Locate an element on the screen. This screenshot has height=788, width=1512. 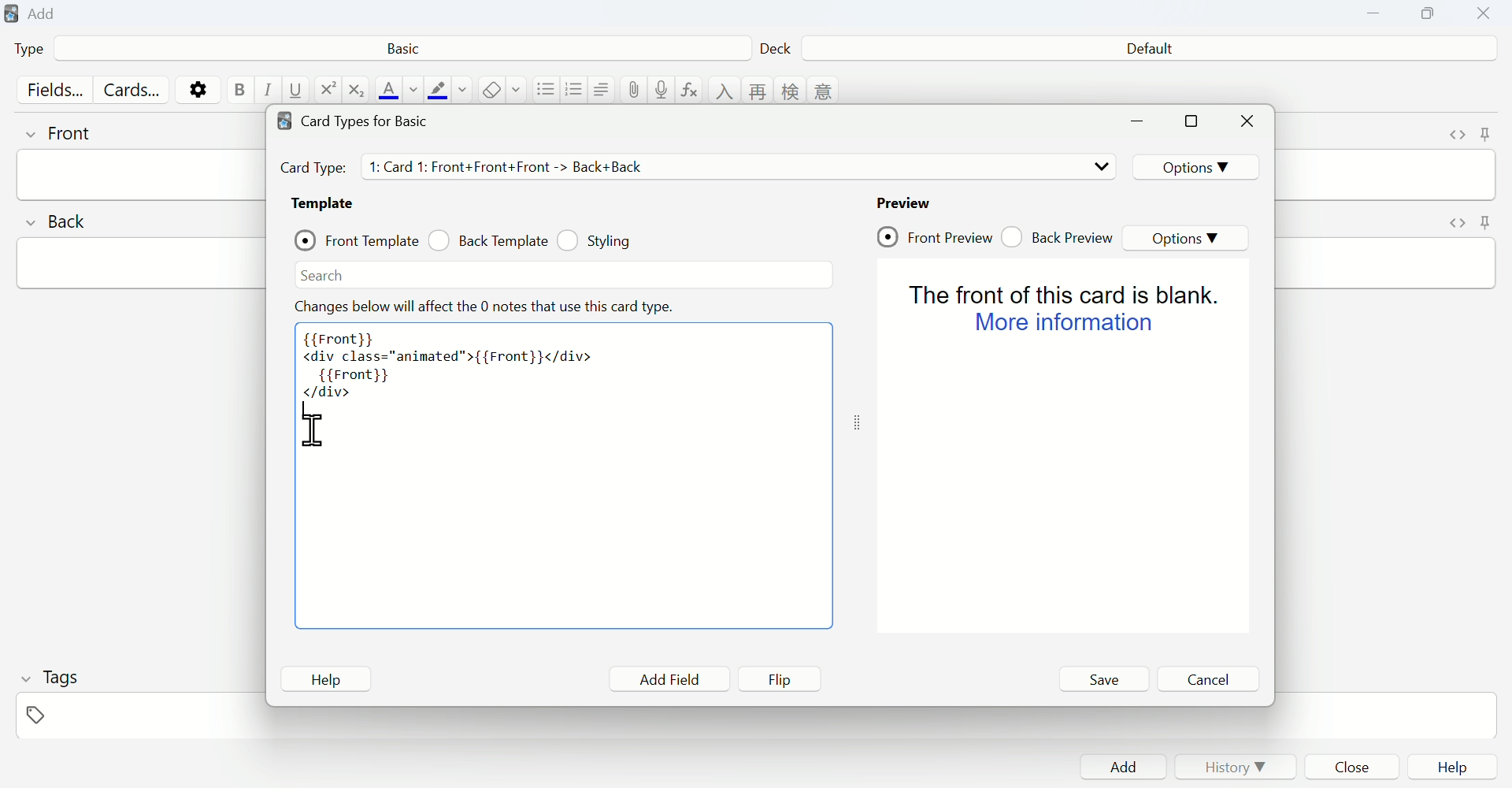
Close is located at coordinates (1351, 767).